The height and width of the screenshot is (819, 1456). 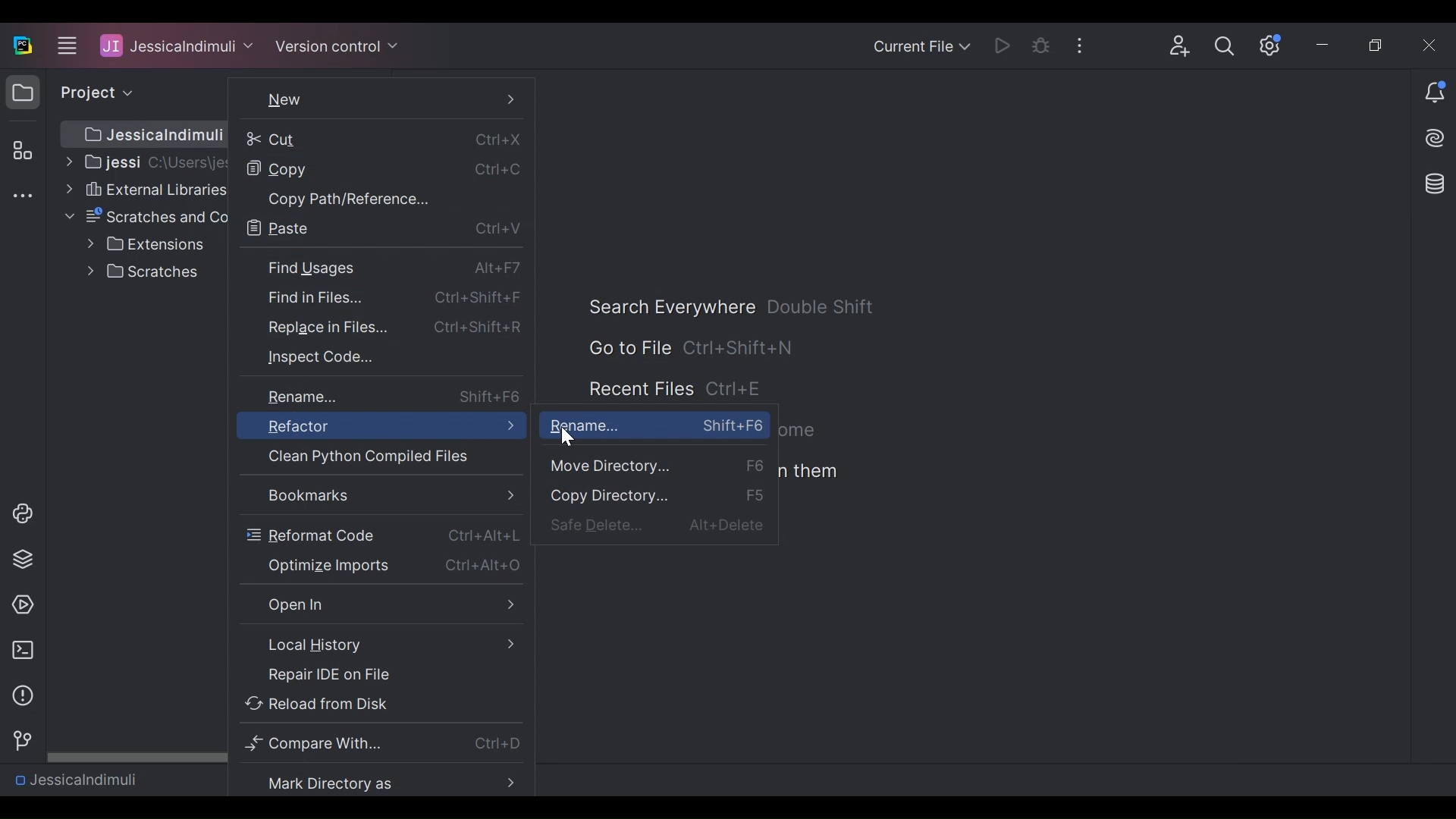 I want to click on More tool windows, so click(x=22, y=197).